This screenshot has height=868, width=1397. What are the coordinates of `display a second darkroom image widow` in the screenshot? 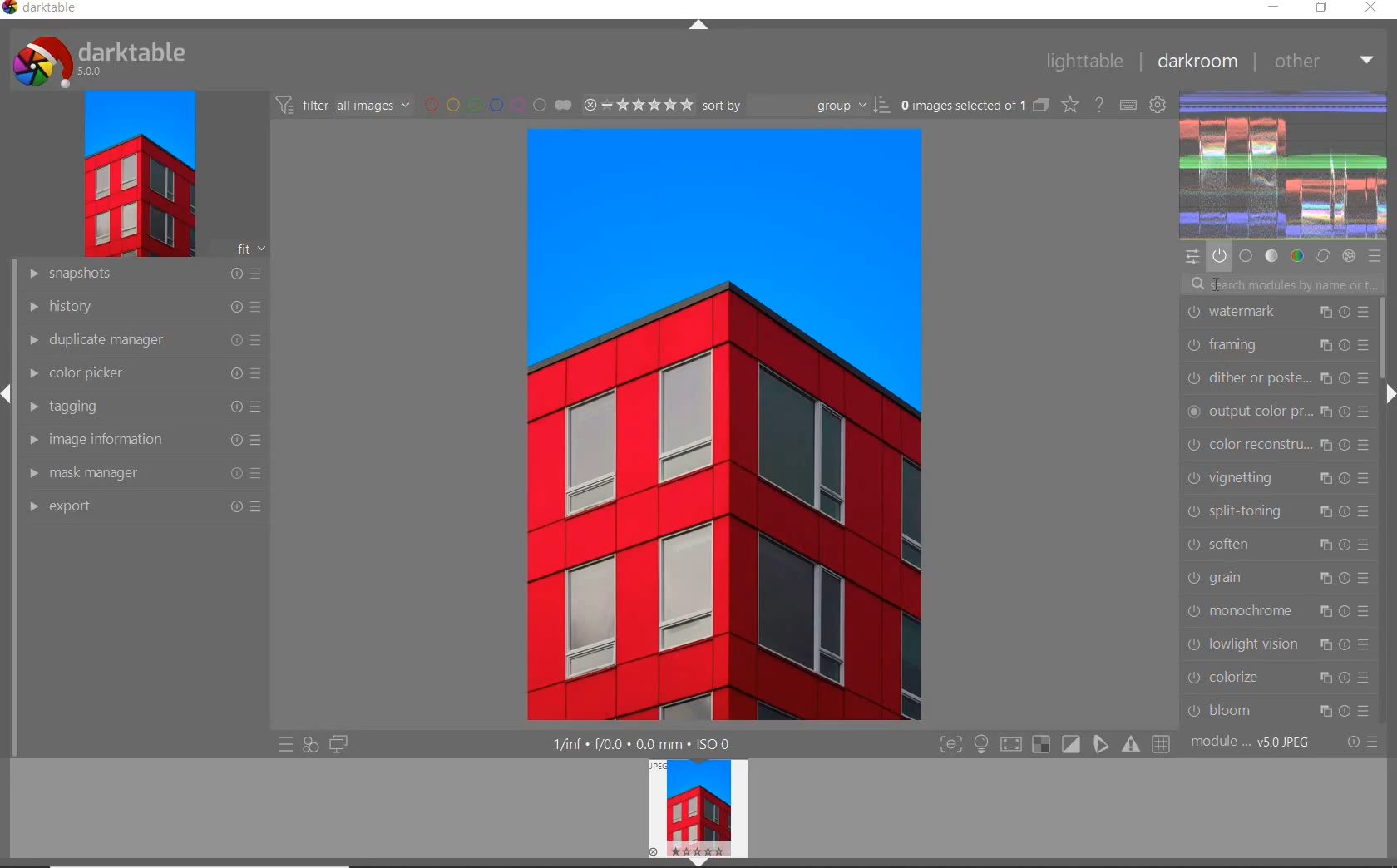 It's located at (338, 742).